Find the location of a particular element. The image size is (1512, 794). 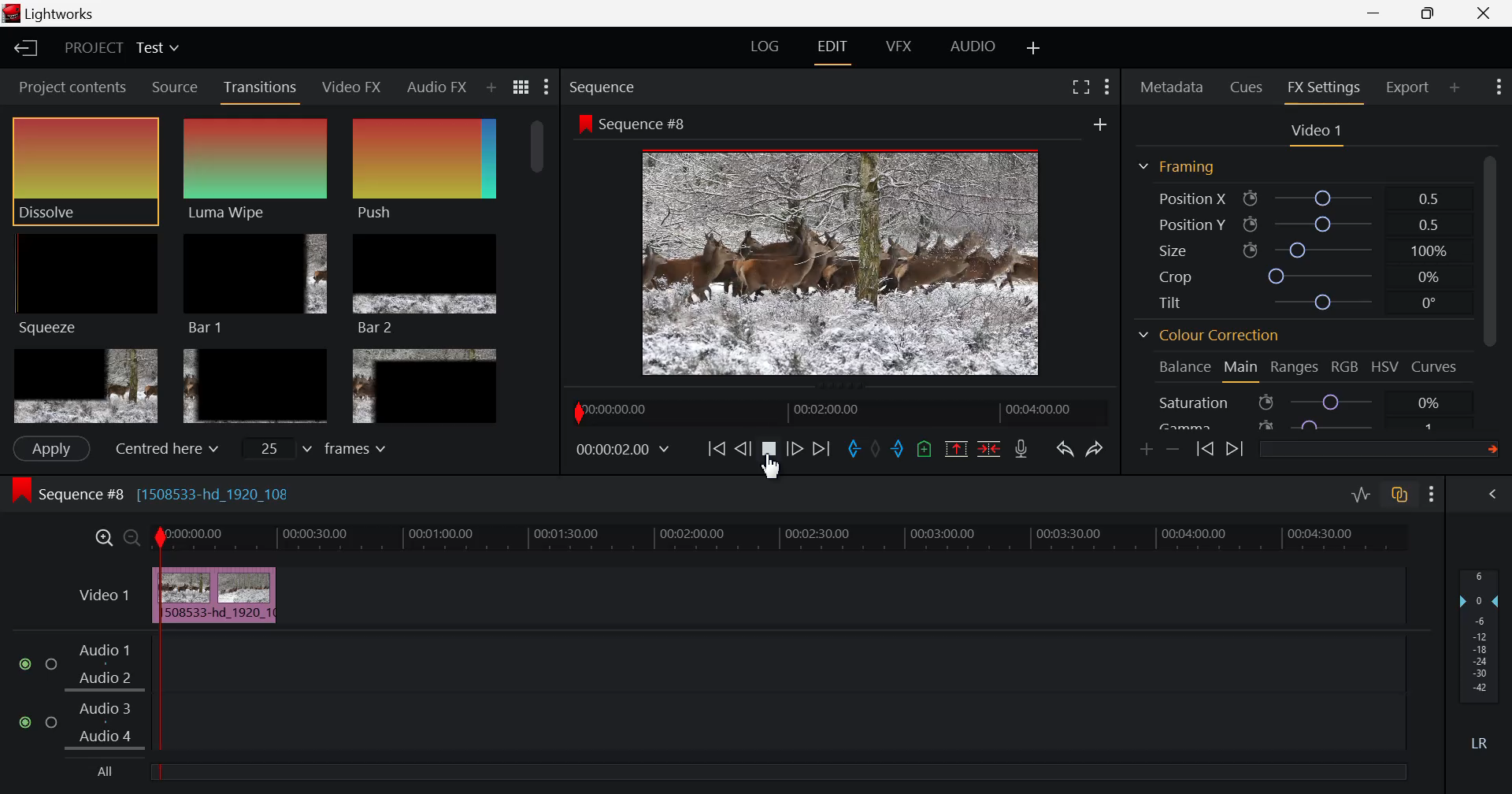

Audio Level is located at coordinates (1484, 661).